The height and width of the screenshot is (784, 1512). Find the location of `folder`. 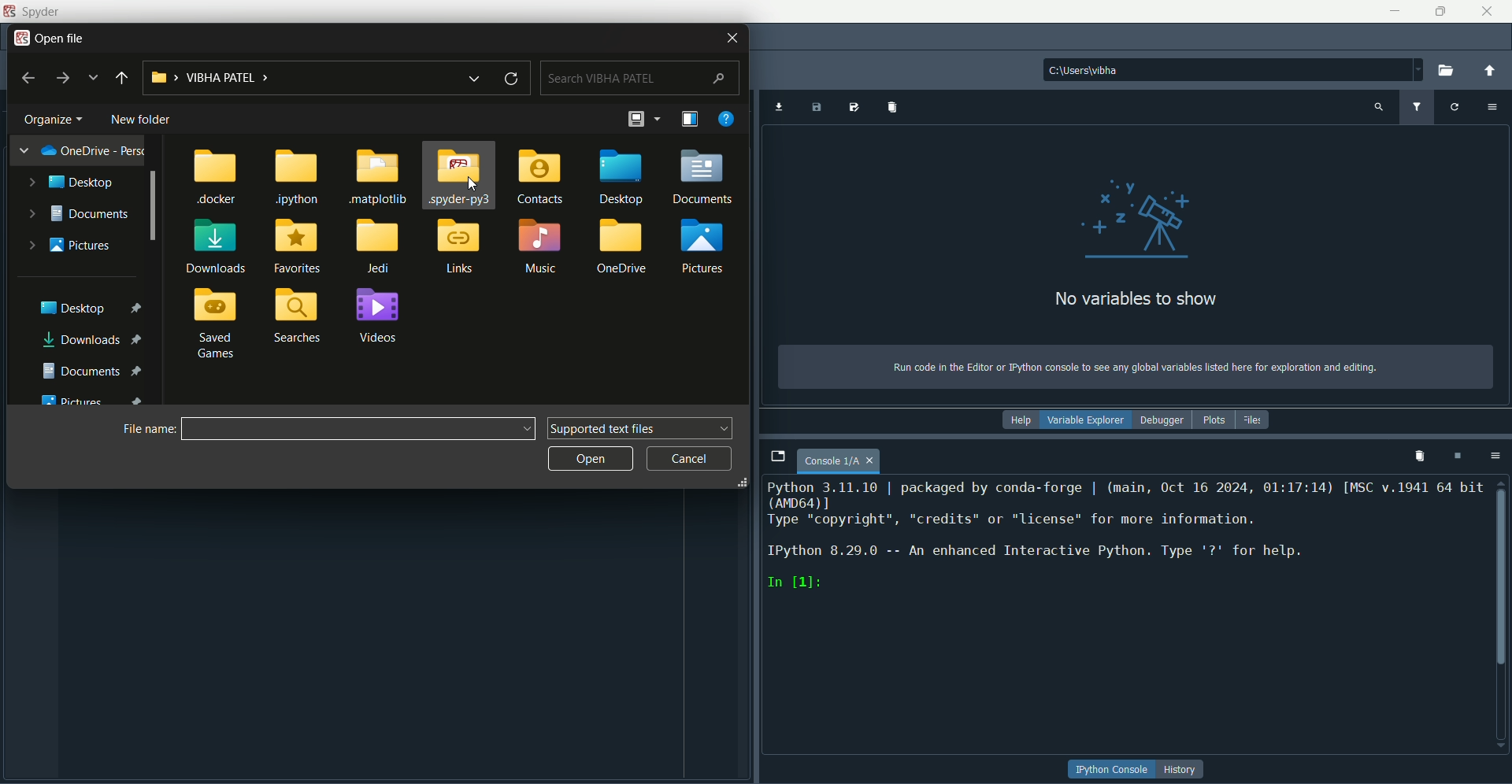

folder is located at coordinates (380, 247).